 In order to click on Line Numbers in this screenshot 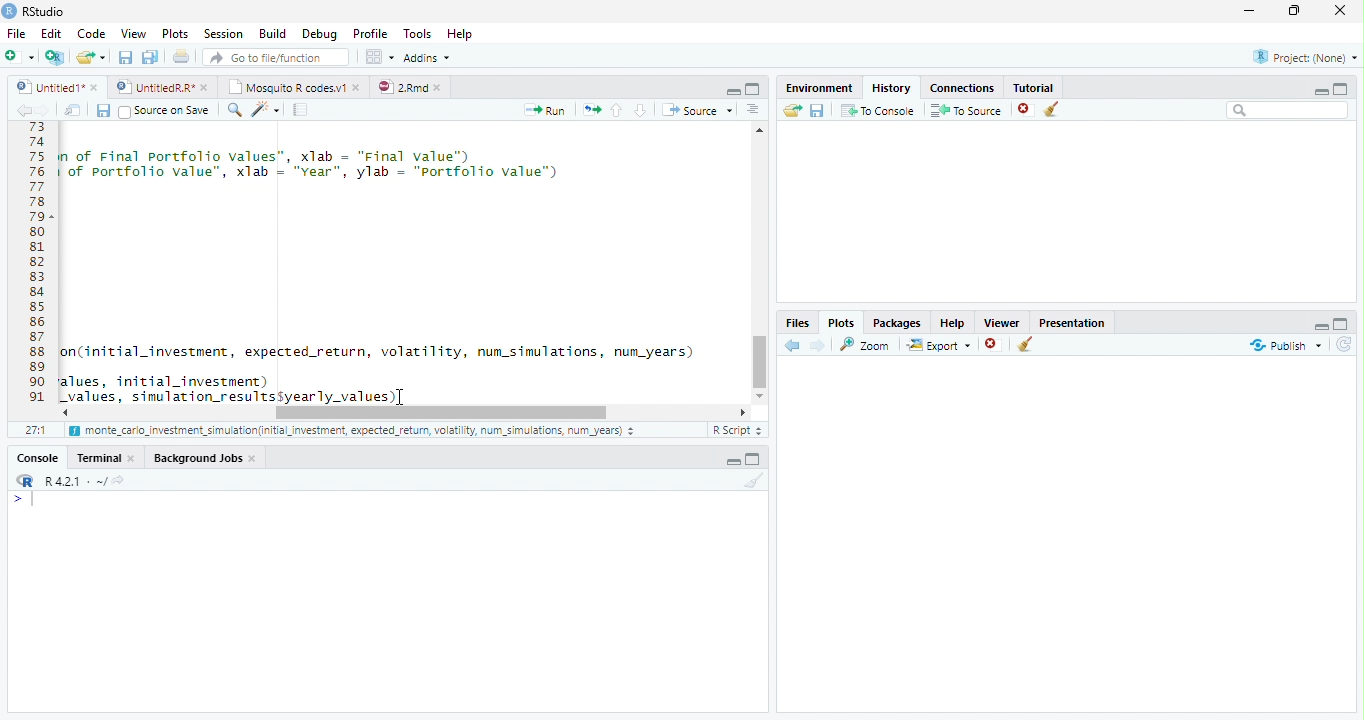, I will do `click(35, 270)`.